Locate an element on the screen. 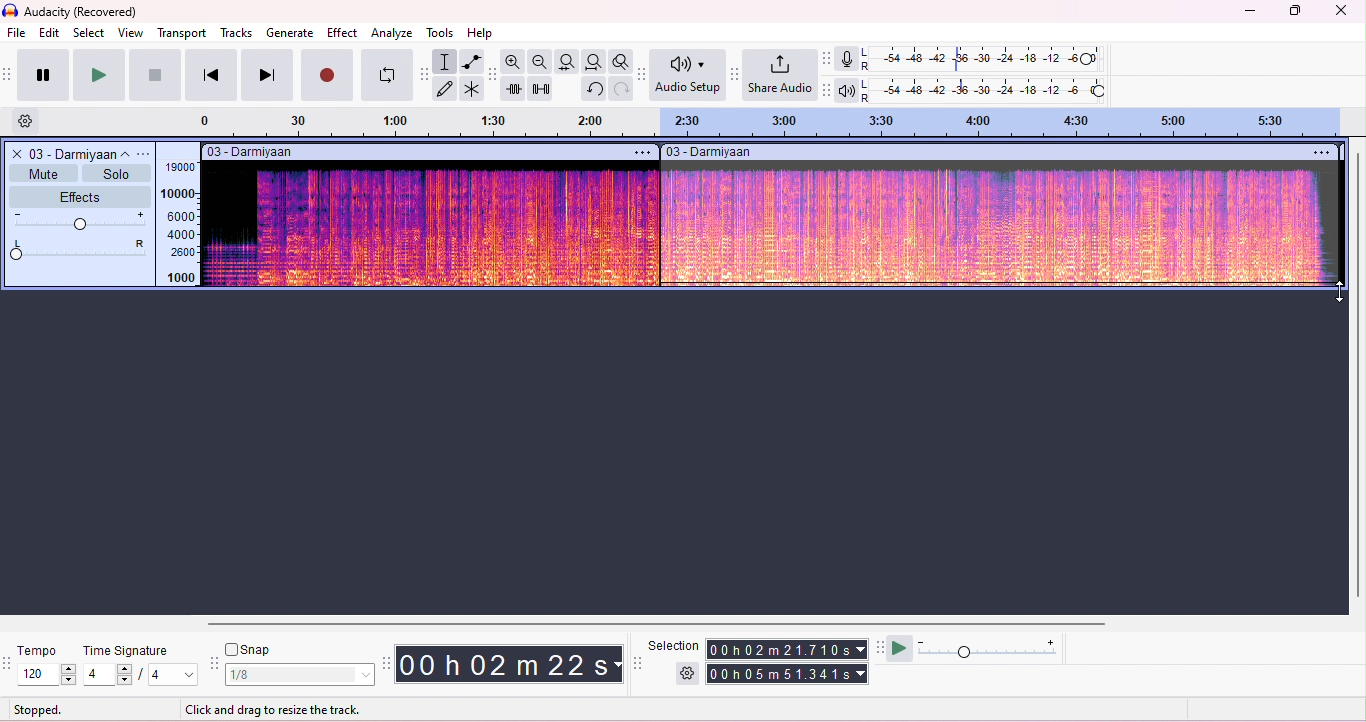  zoom in is located at coordinates (515, 62).